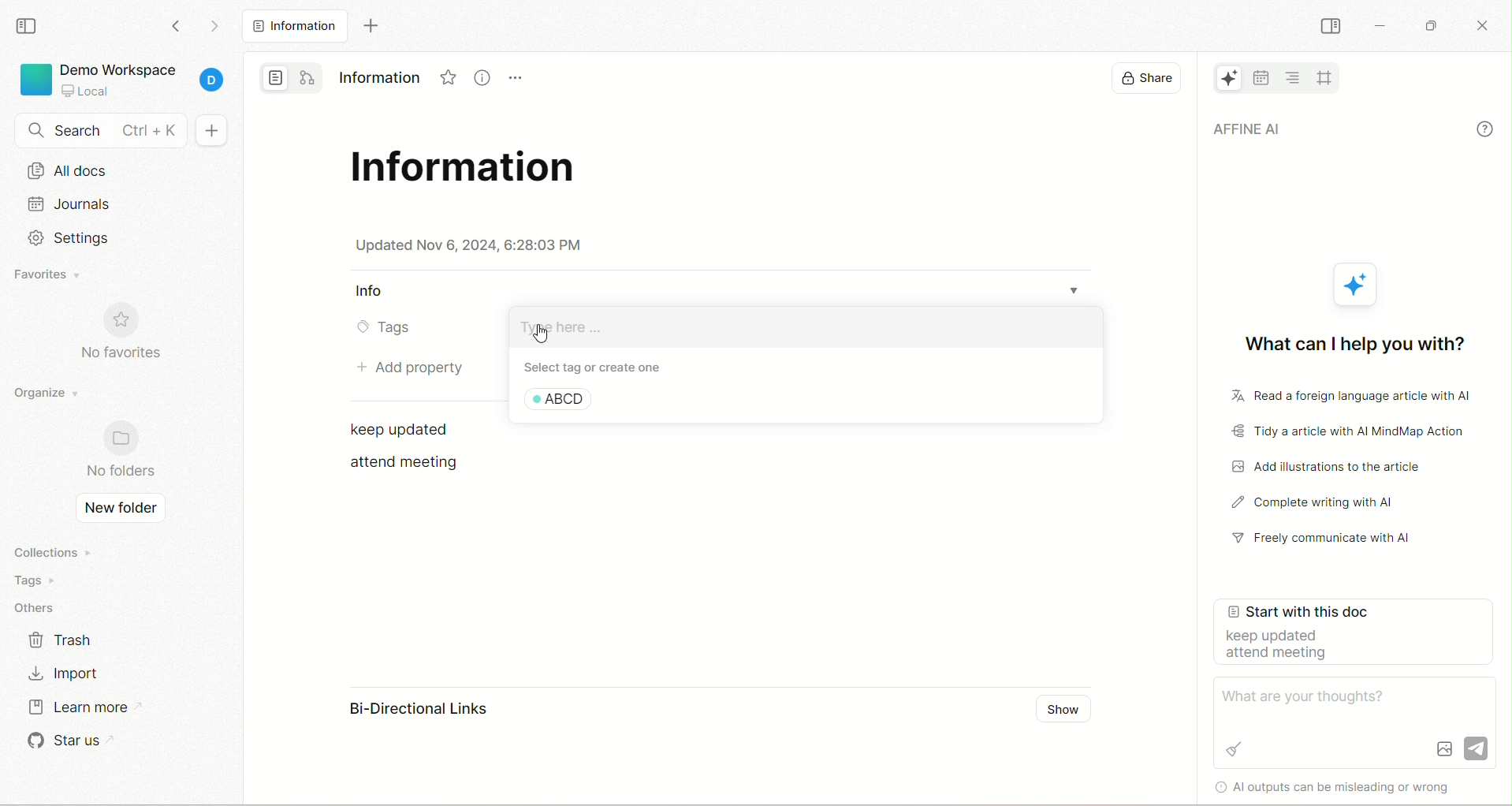 This screenshot has height=806, width=1512. I want to click on display, so click(1140, 80).